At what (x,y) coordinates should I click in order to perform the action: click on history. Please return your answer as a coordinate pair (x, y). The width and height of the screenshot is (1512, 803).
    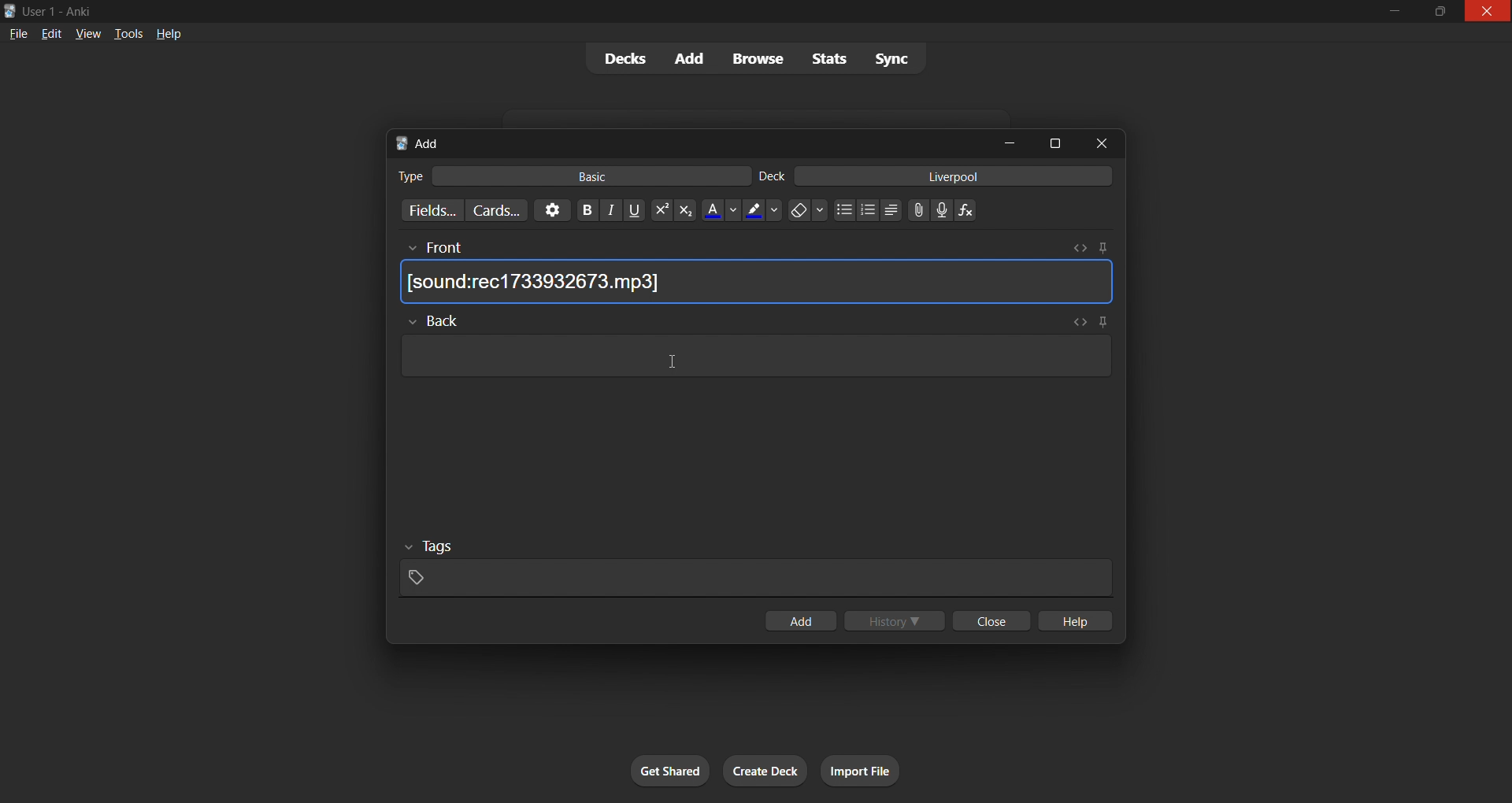
    Looking at the image, I should click on (896, 623).